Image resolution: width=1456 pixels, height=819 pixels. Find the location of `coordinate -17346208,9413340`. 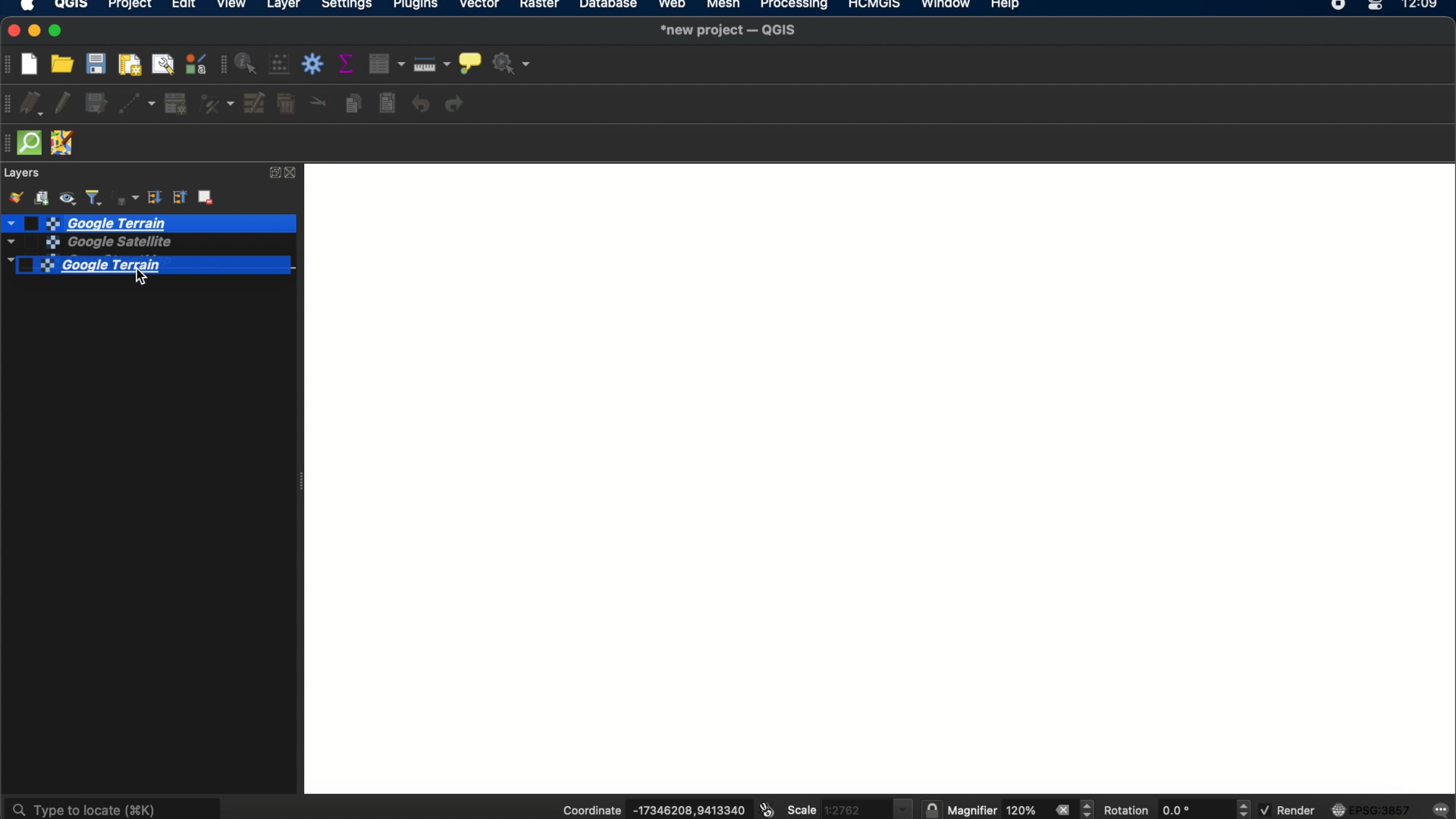

coordinate -17346208,9413340 is located at coordinates (648, 811).